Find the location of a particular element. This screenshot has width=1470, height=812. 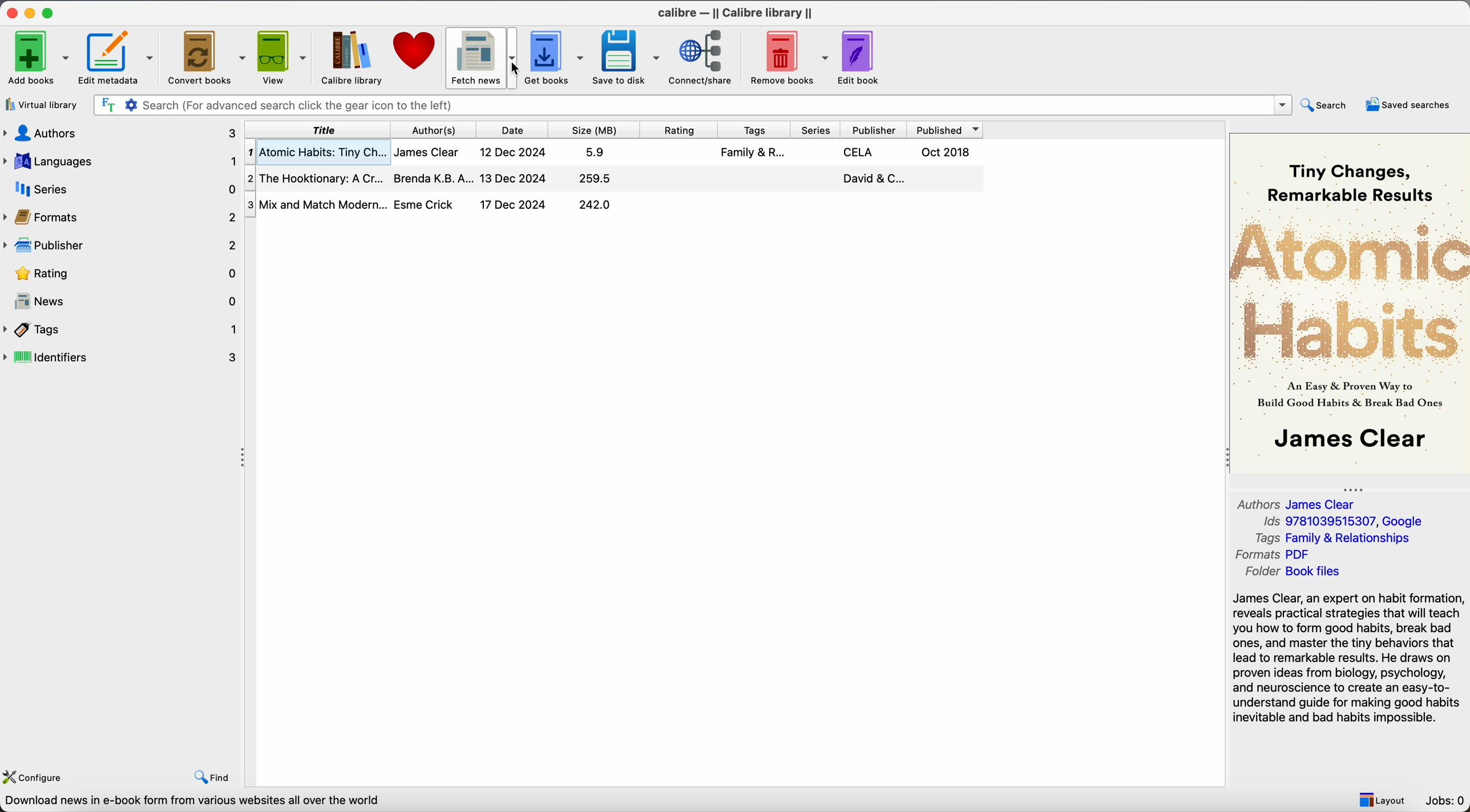

259.5 is located at coordinates (595, 179).